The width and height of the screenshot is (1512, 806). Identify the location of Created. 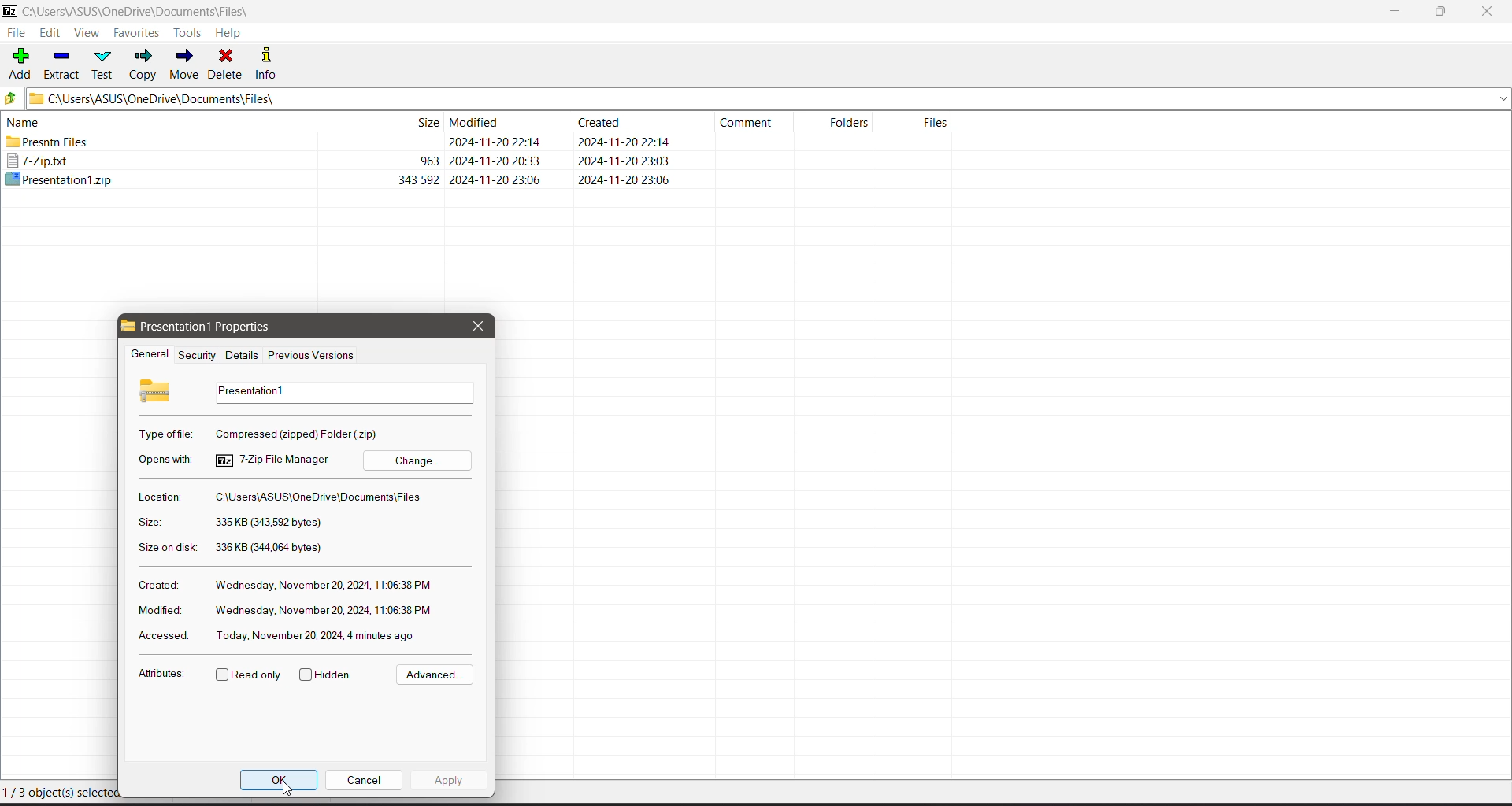
(157, 584).